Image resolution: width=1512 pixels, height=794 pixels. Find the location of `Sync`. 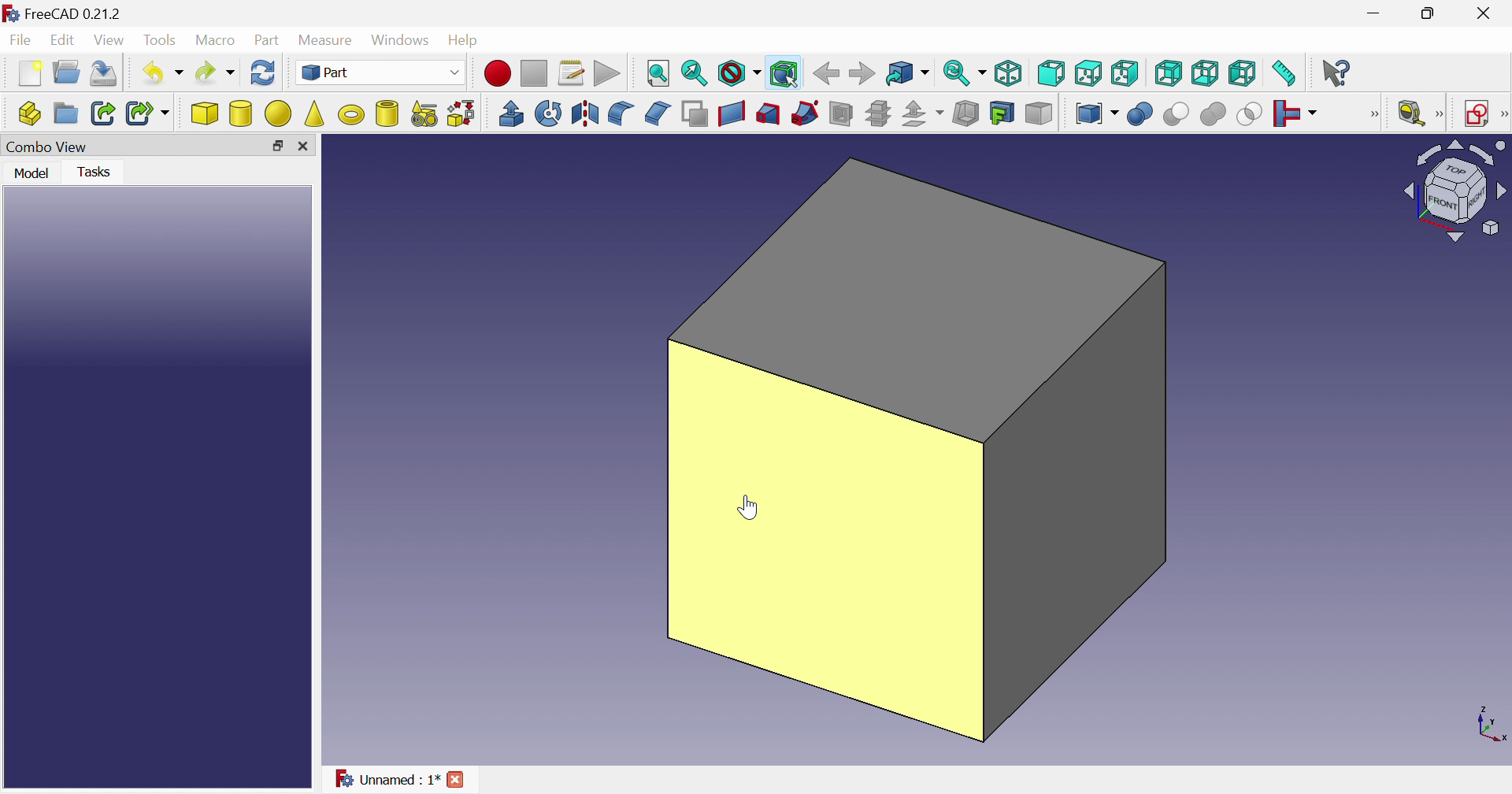

Sync is located at coordinates (966, 72).